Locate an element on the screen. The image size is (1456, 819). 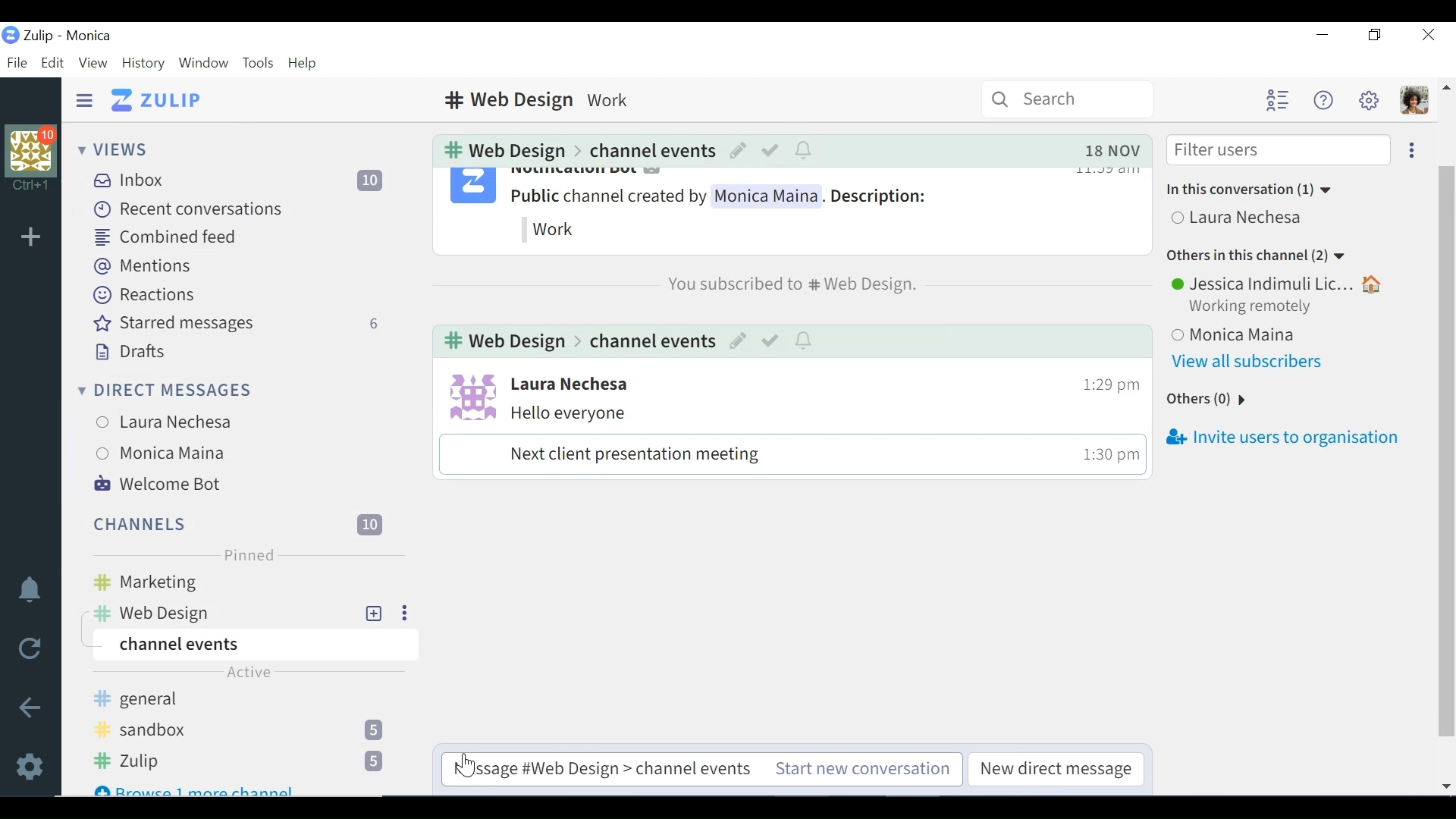
Drafts is located at coordinates (128, 350).